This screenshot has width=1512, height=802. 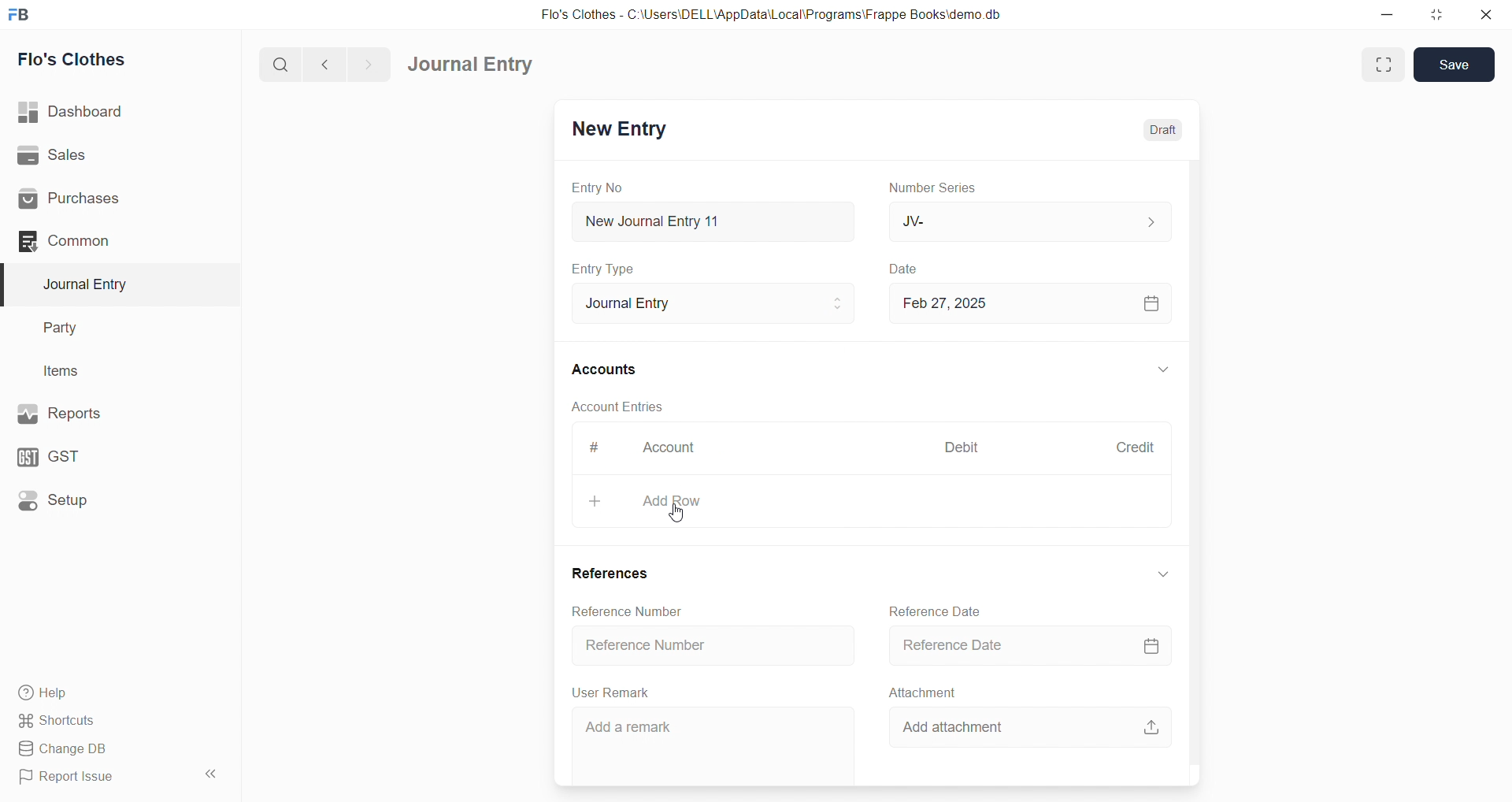 I want to click on Purchases, so click(x=95, y=200).